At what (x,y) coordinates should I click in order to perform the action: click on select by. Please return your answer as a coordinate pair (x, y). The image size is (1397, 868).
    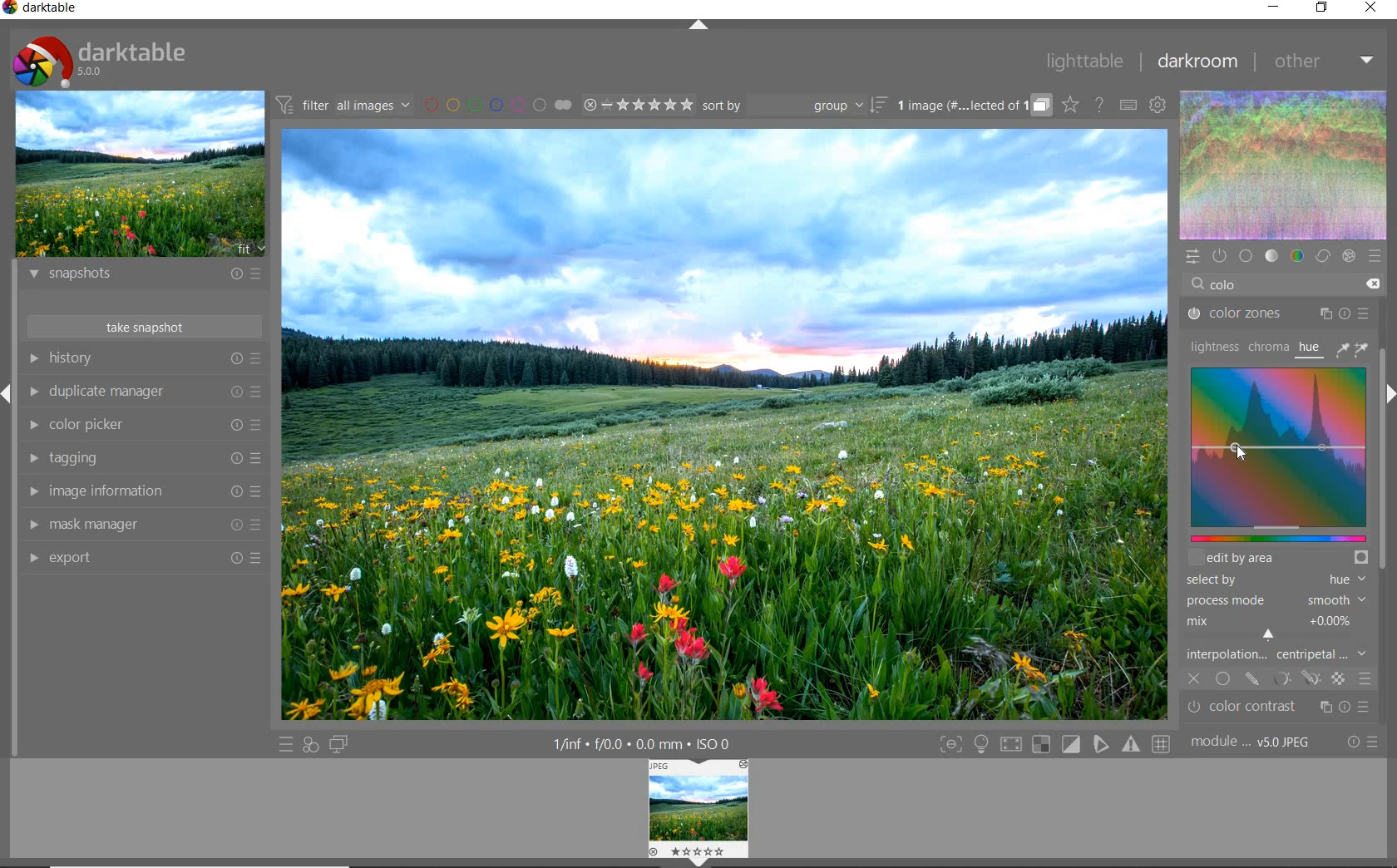
    Looking at the image, I should click on (1275, 580).